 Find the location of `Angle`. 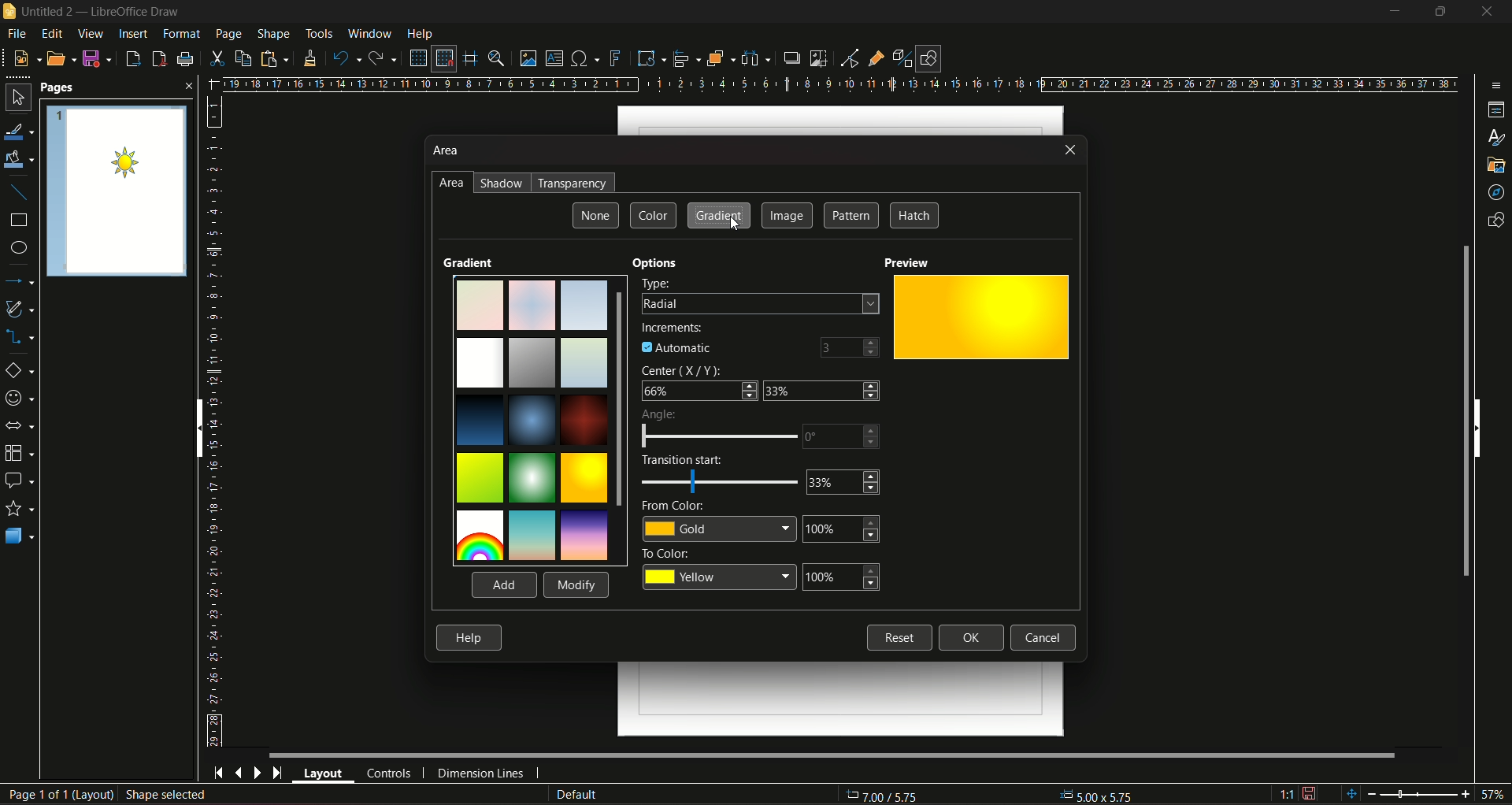

Angle is located at coordinates (762, 430).